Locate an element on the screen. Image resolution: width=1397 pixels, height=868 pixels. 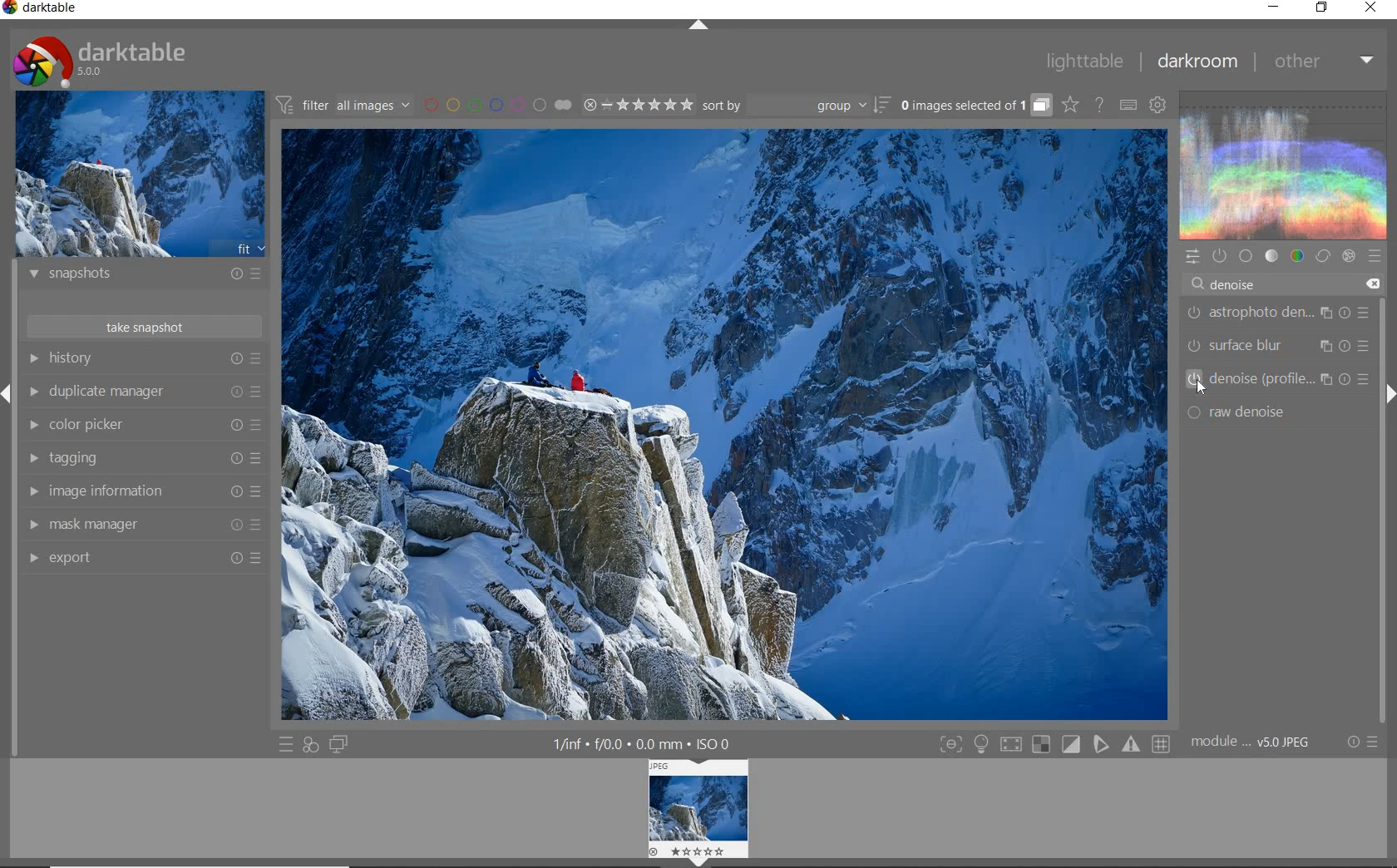
Toggle modes is located at coordinates (1054, 742).